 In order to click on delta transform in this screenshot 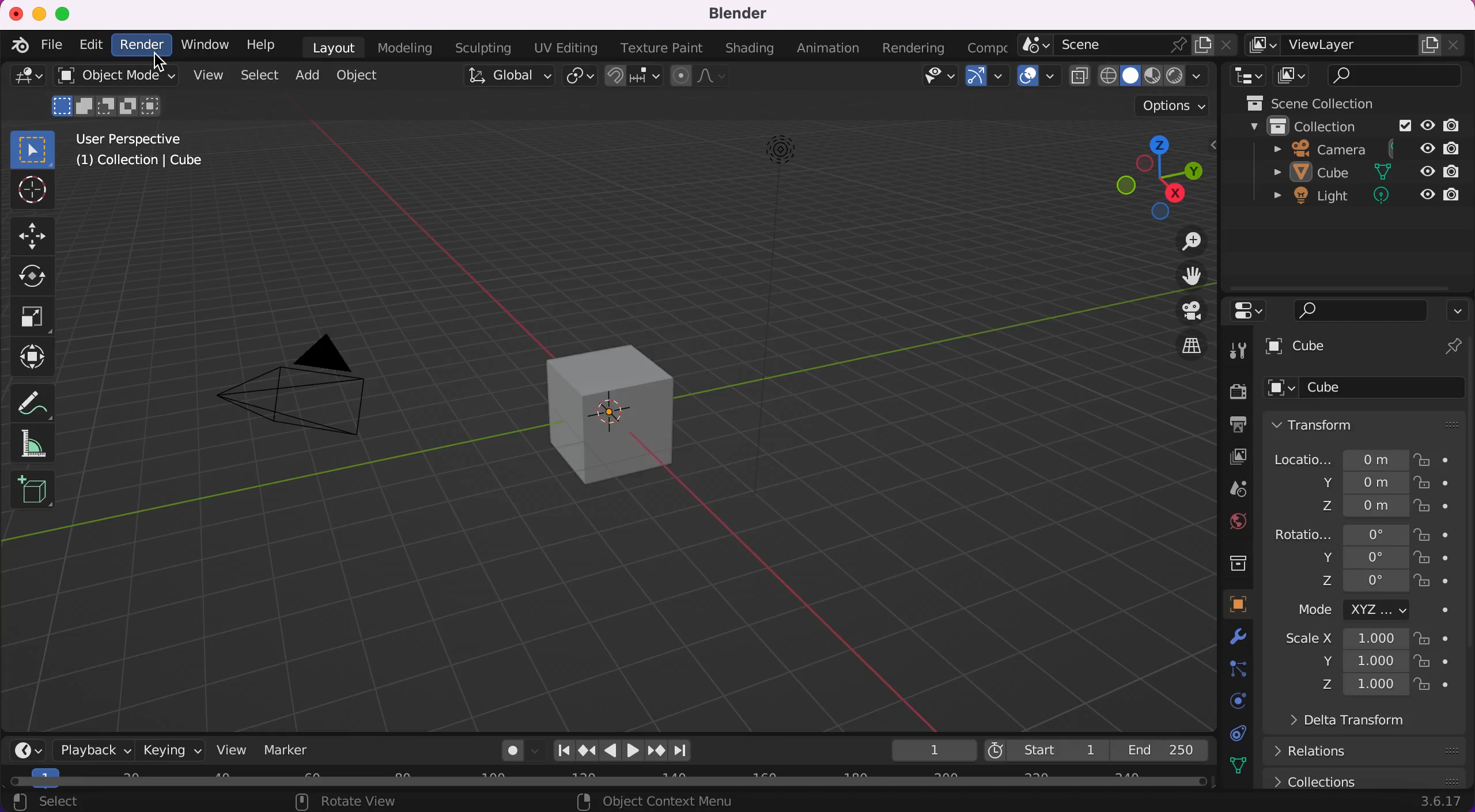, I will do `click(1359, 722)`.